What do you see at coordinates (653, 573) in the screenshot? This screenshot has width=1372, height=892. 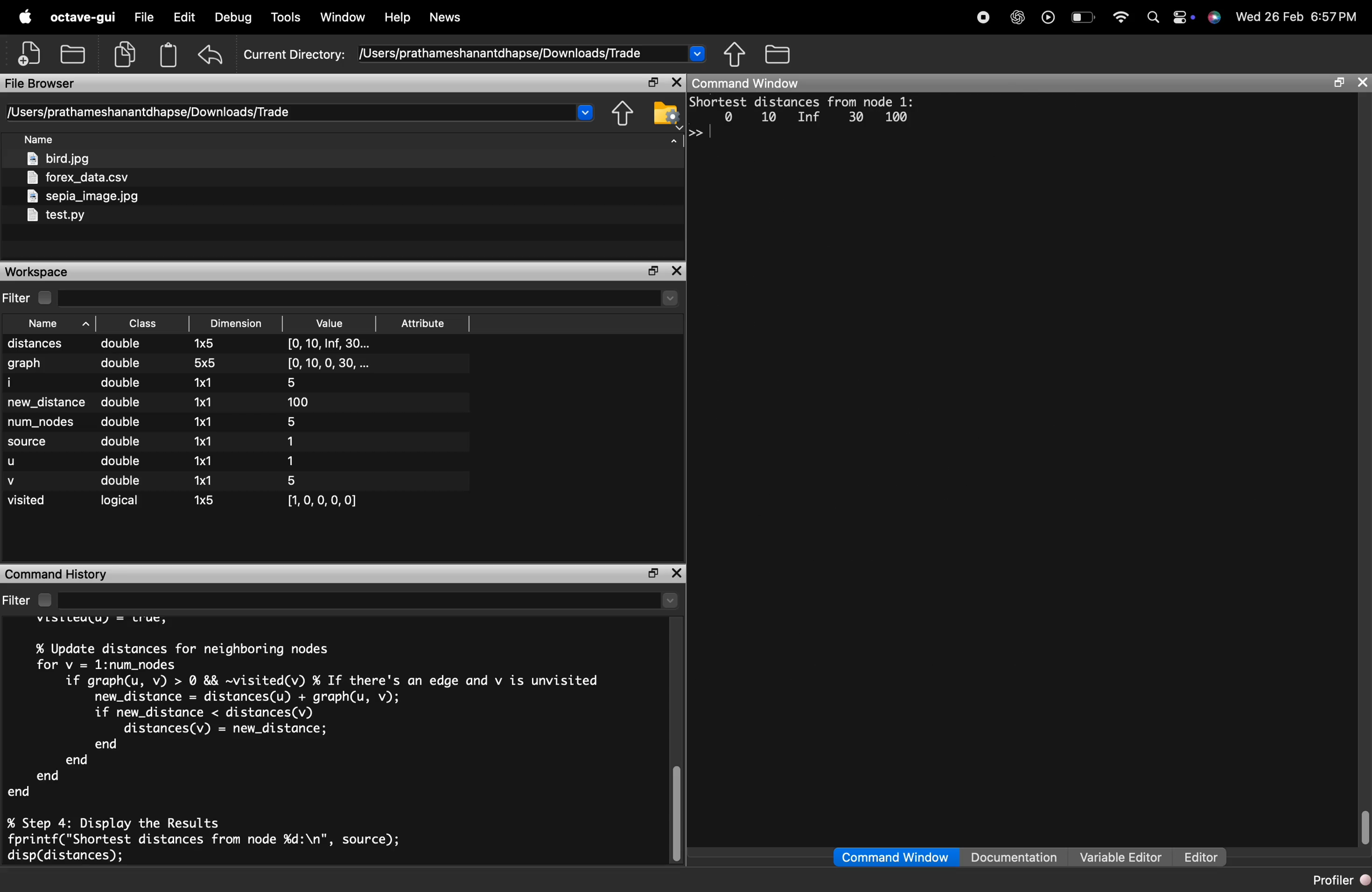 I see `maximize` at bounding box center [653, 573].